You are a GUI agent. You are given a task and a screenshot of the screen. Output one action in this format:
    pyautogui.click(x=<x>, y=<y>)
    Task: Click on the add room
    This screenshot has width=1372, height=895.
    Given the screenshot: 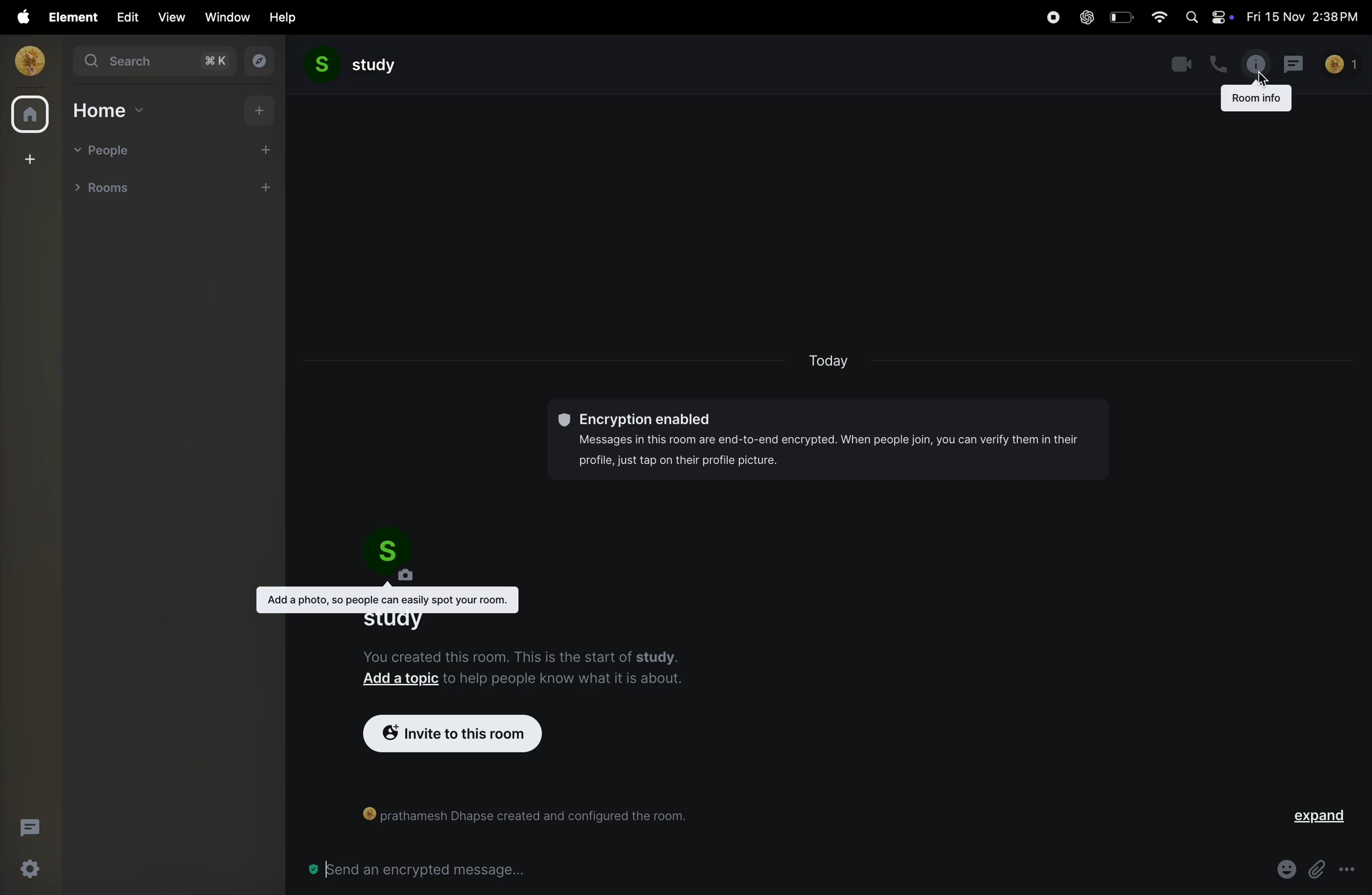 What is the action you would take?
    pyautogui.click(x=265, y=190)
    